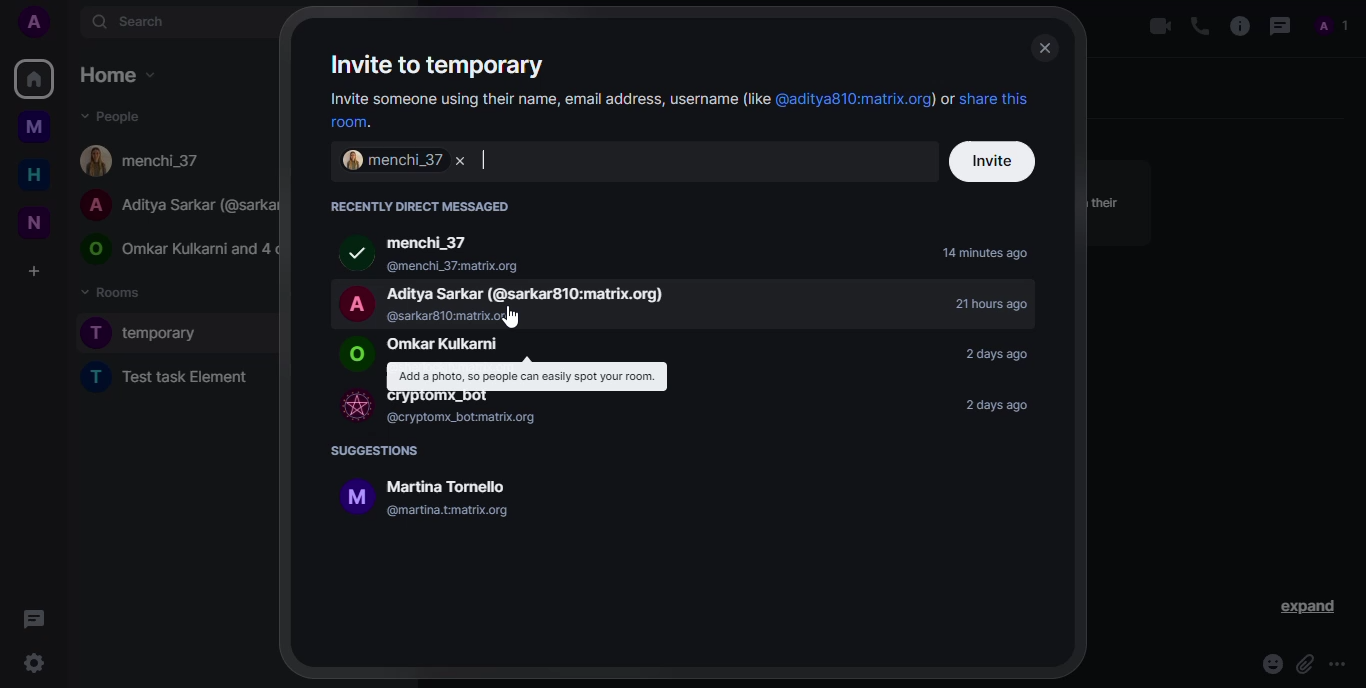 The height and width of the screenshot is (688, 1366). What do you see at coordinates (987, 254) in the screenshot?
I see `14 minutes ago` at bounding box center [987, 254].